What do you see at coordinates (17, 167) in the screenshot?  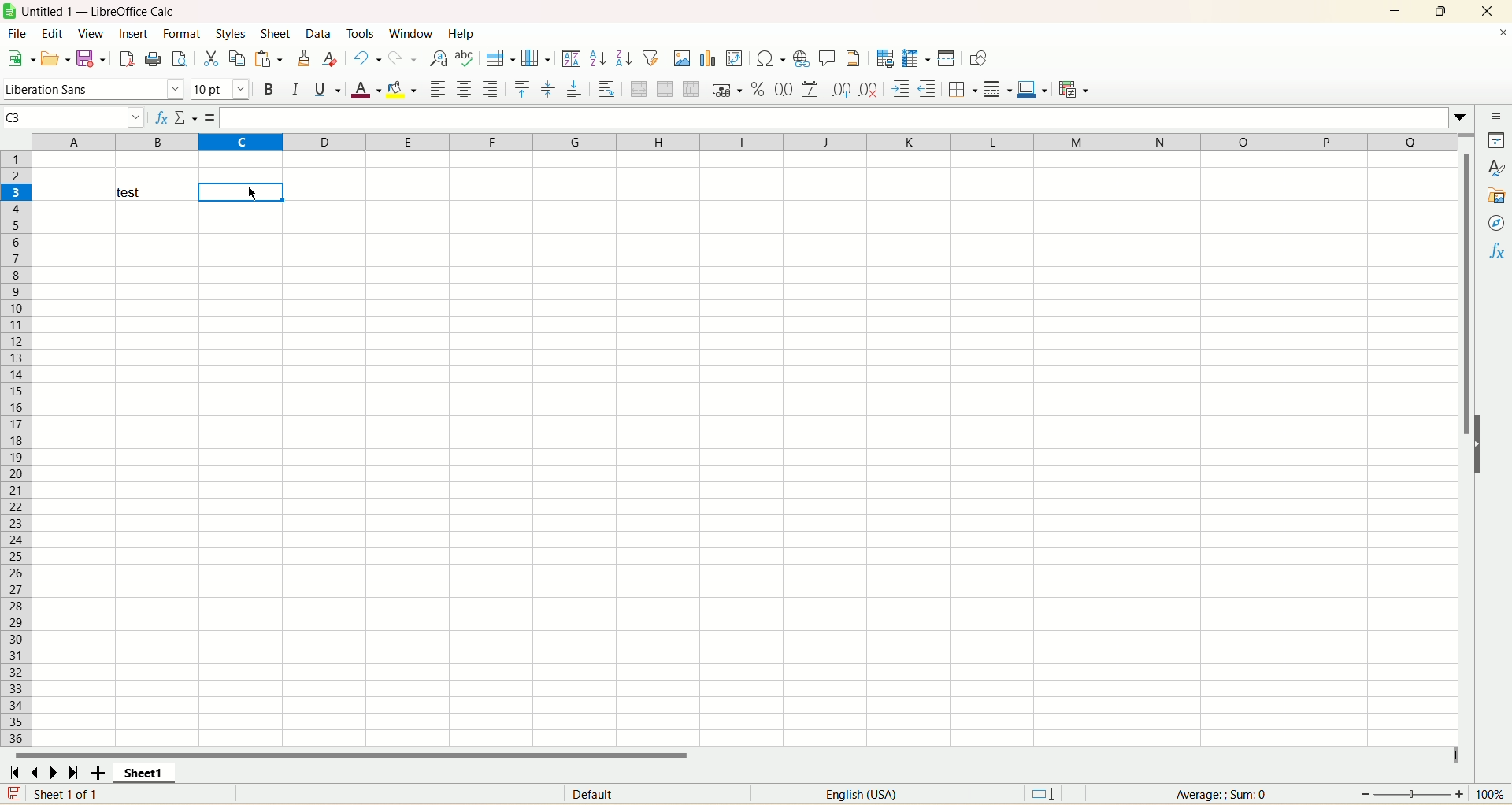 I see `Row number` at bounding box center [17, 167].